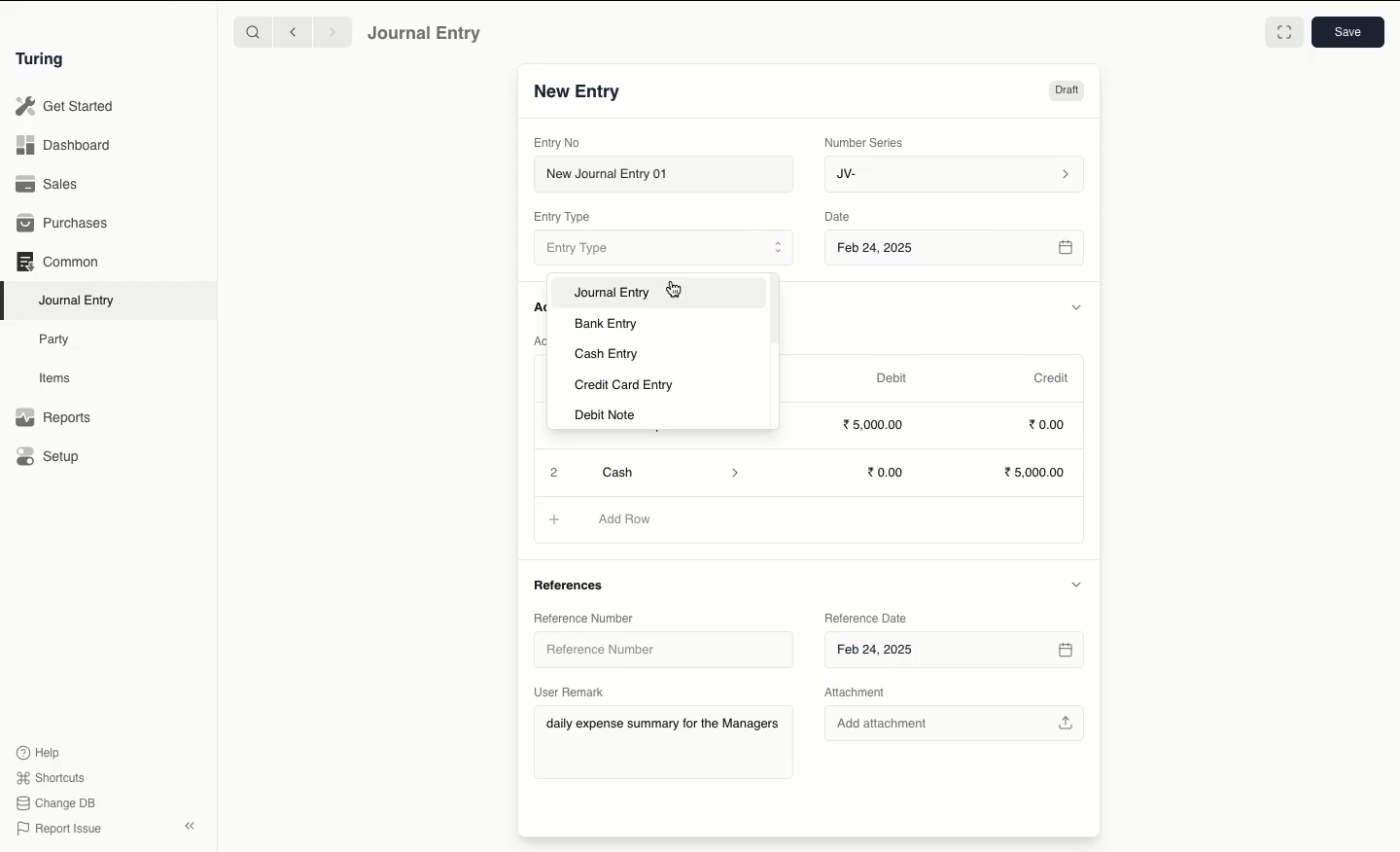 The height and width of the screenshot is (852, 1400). What do you see at coordinates (55, 803) in the screenshot?
I see `Change DB` at bounding box center [55, 803].